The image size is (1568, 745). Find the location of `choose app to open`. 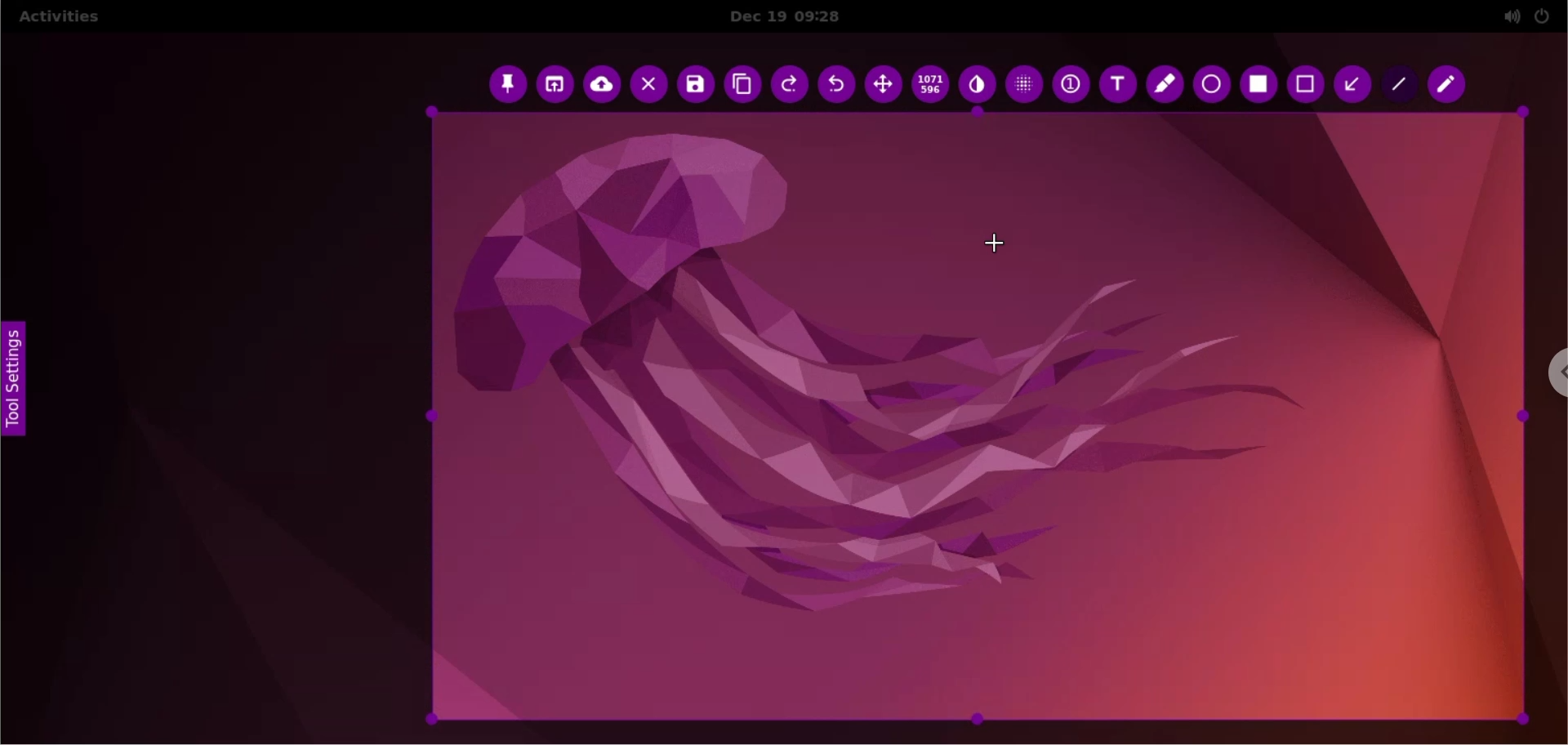

choose app to open is located at coordinates (557, 85).